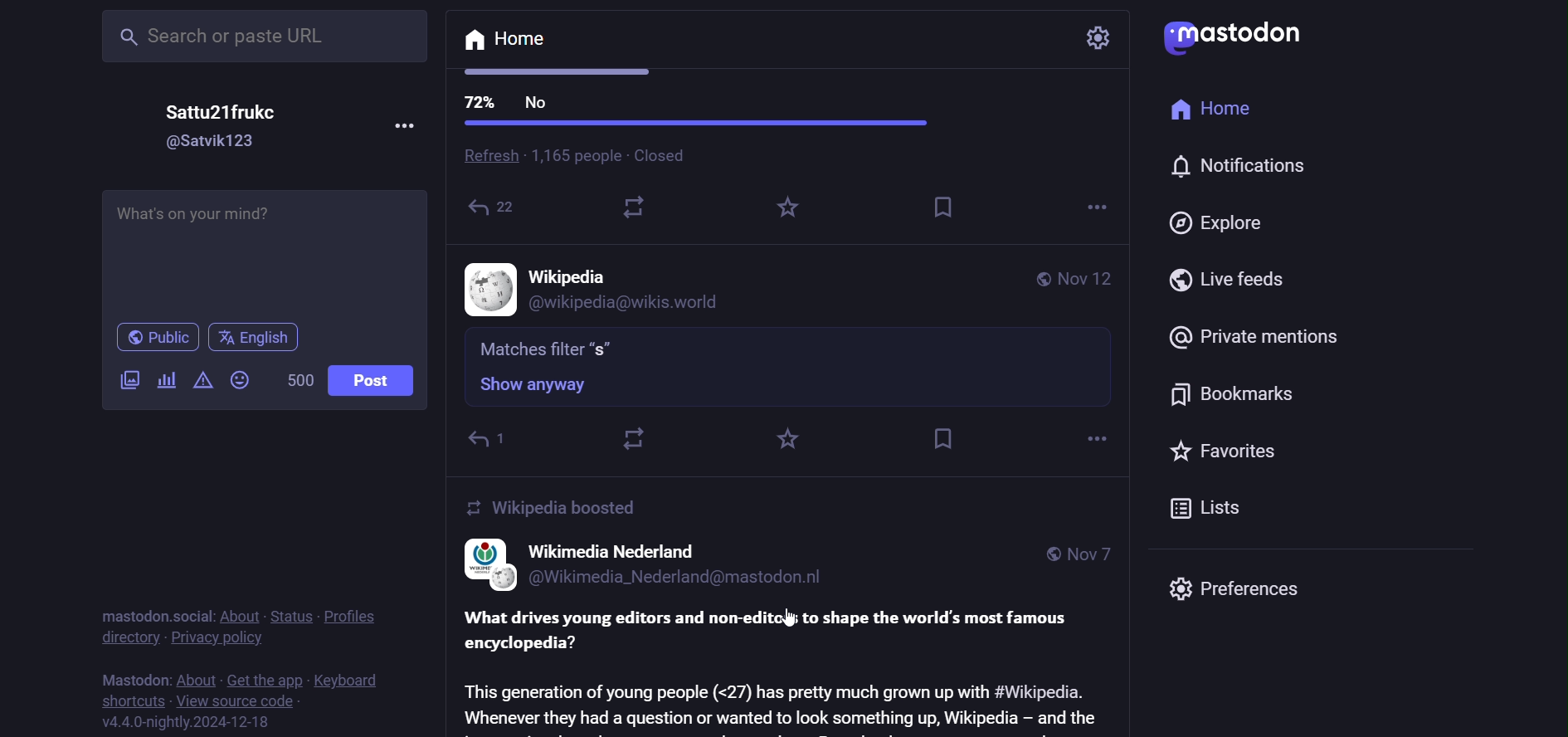 This screenshot has height=737, width=1568. What do you see at coordinates (194, 677) in the screenshot?
I see `about` at bounding box center [194, 677].